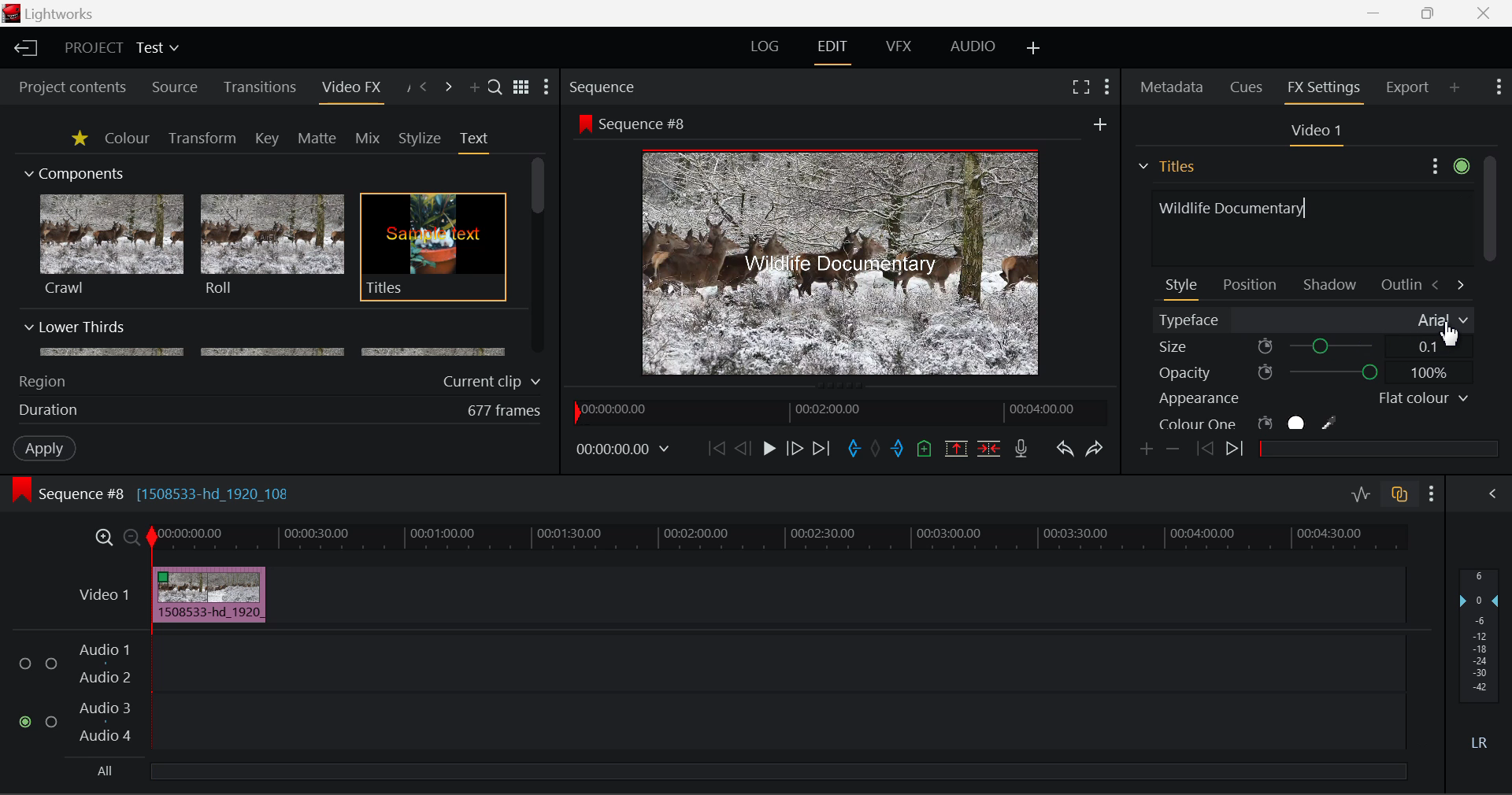 The height and width of the screenshot is (795, 1512). Describe the element at coordinates (743, 448) in the screenshot. I see `Go Back` at that location.